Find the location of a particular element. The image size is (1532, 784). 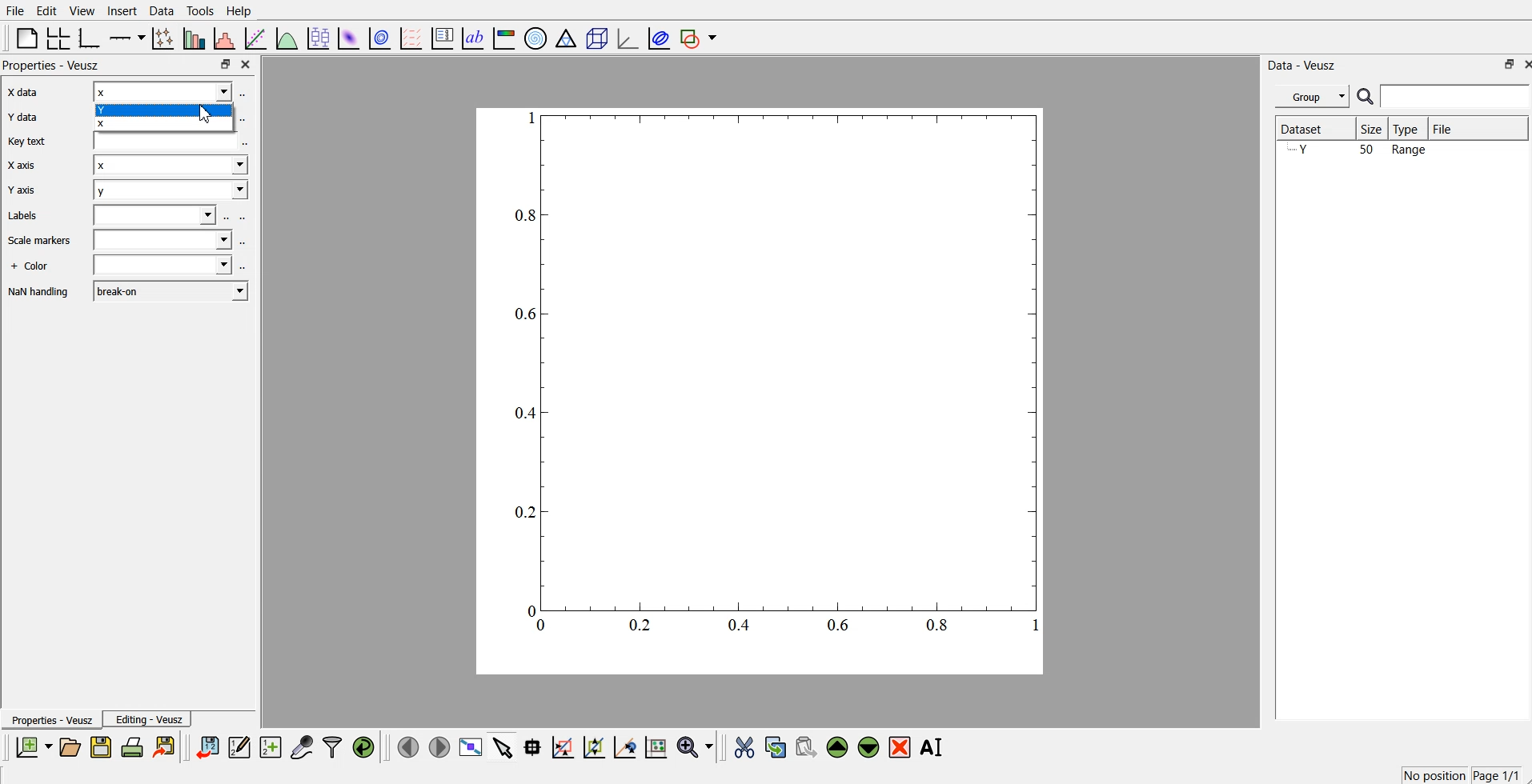

plot vector field is located at coordinates (410, 36).